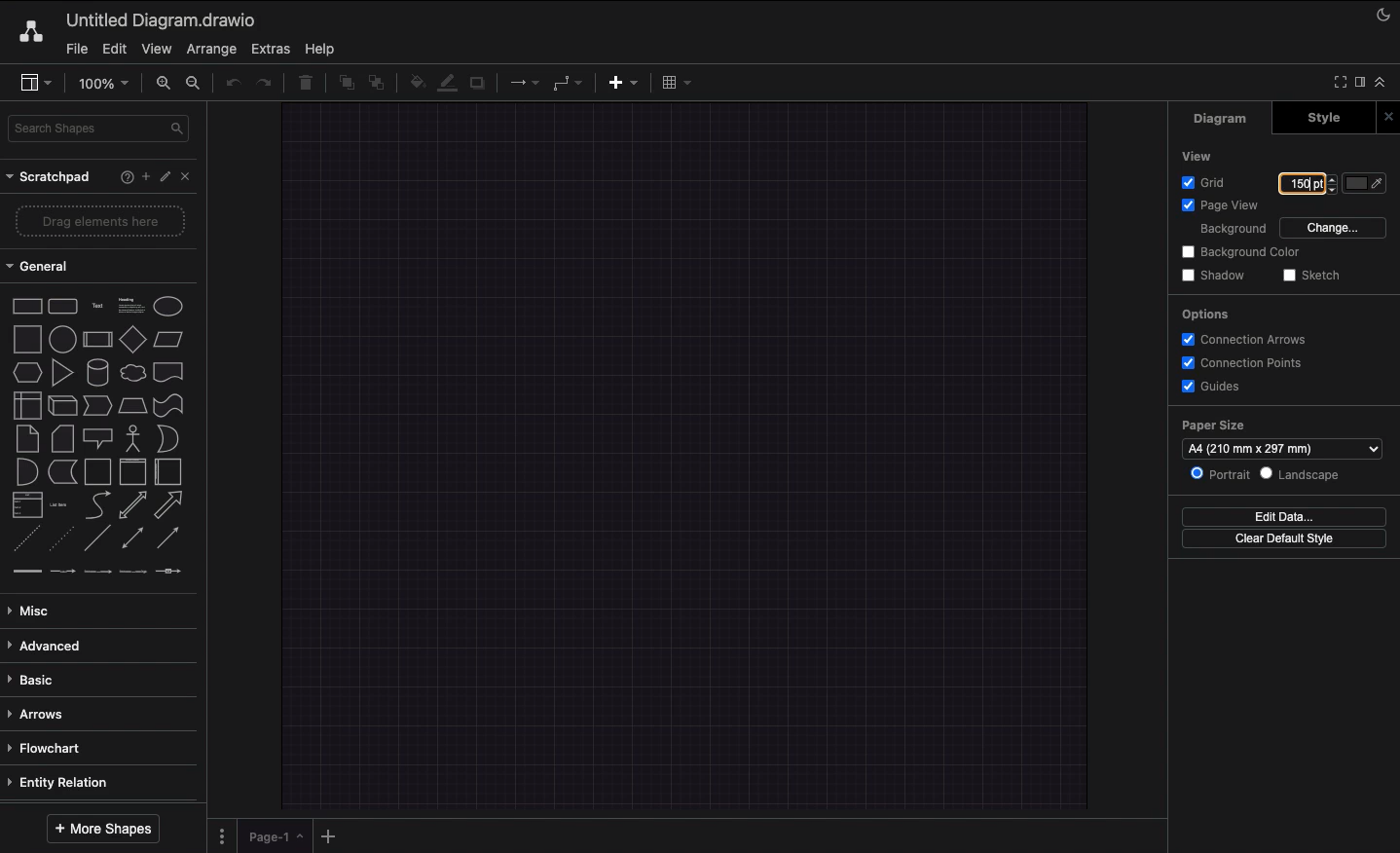 The width and height of the screenshot is (1400, 853). Describe the element at coordinates (1382, 83) in the screenshot. I see `Collapse` at that location.